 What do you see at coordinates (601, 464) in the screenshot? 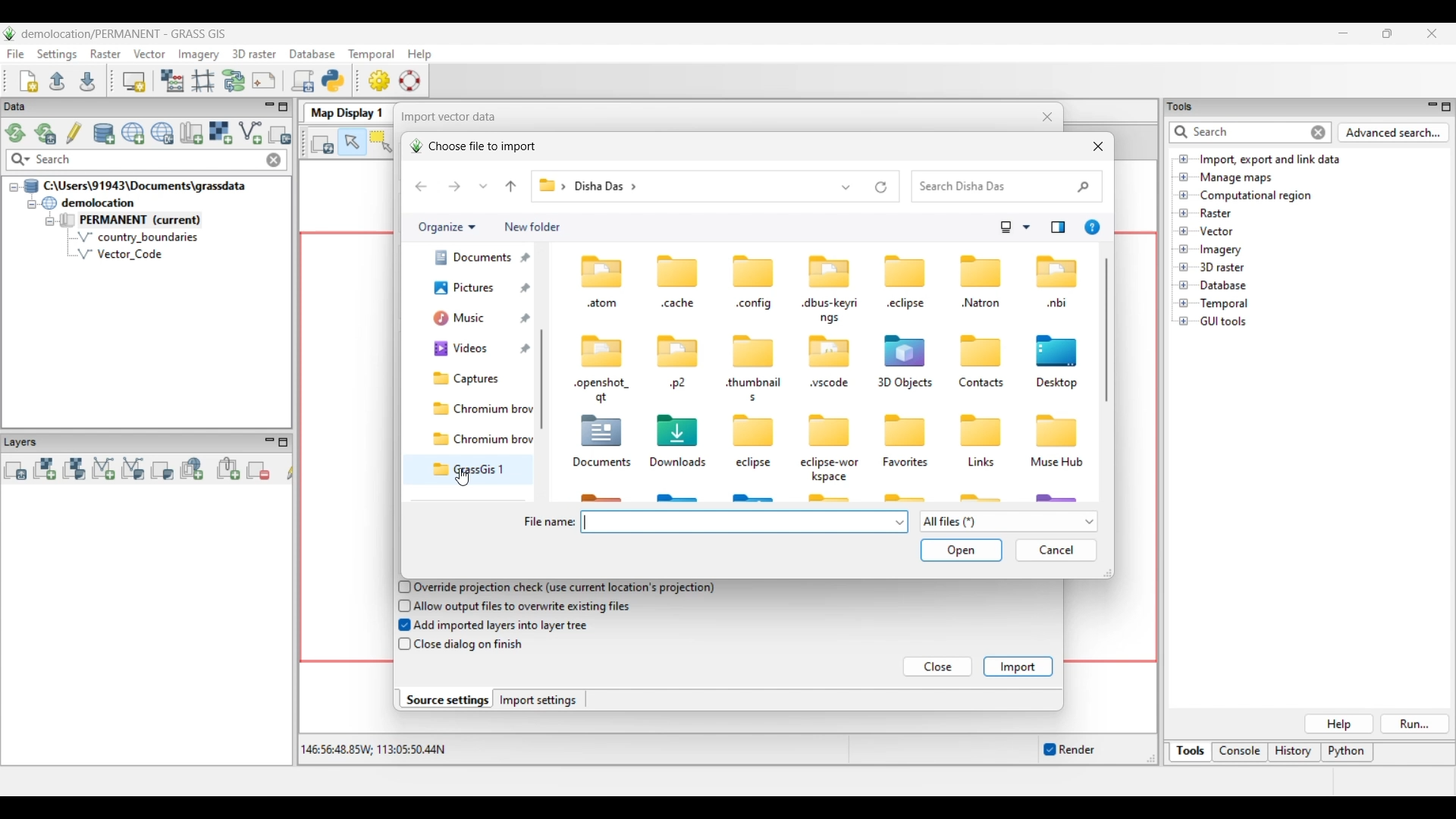
I see `Documents` at bounding box center [601, 464].